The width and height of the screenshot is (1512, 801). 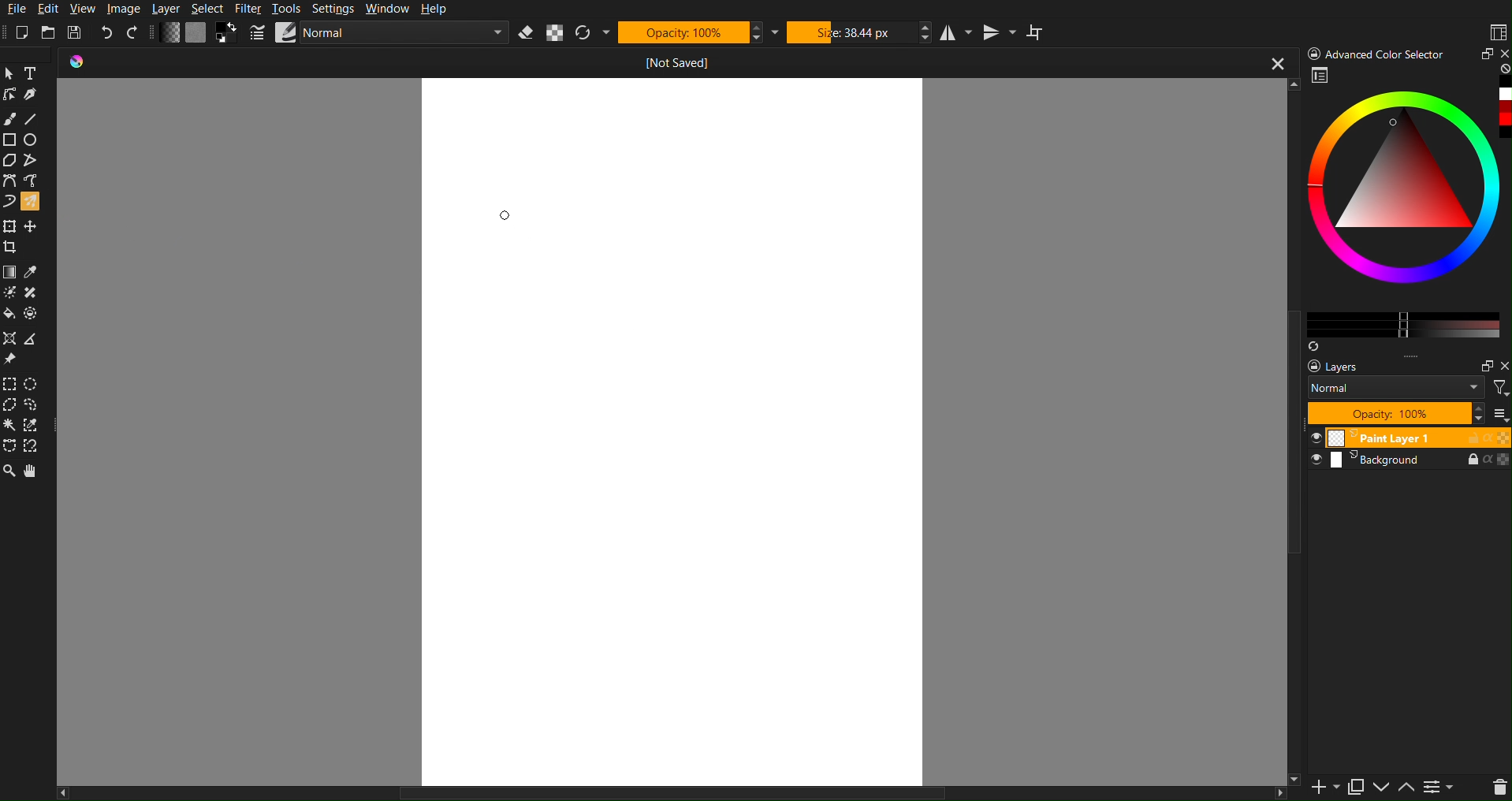 What do you see at coordinates (1316, 789) in the screenshot?
I see `add` at bounding box center [1316, 789].